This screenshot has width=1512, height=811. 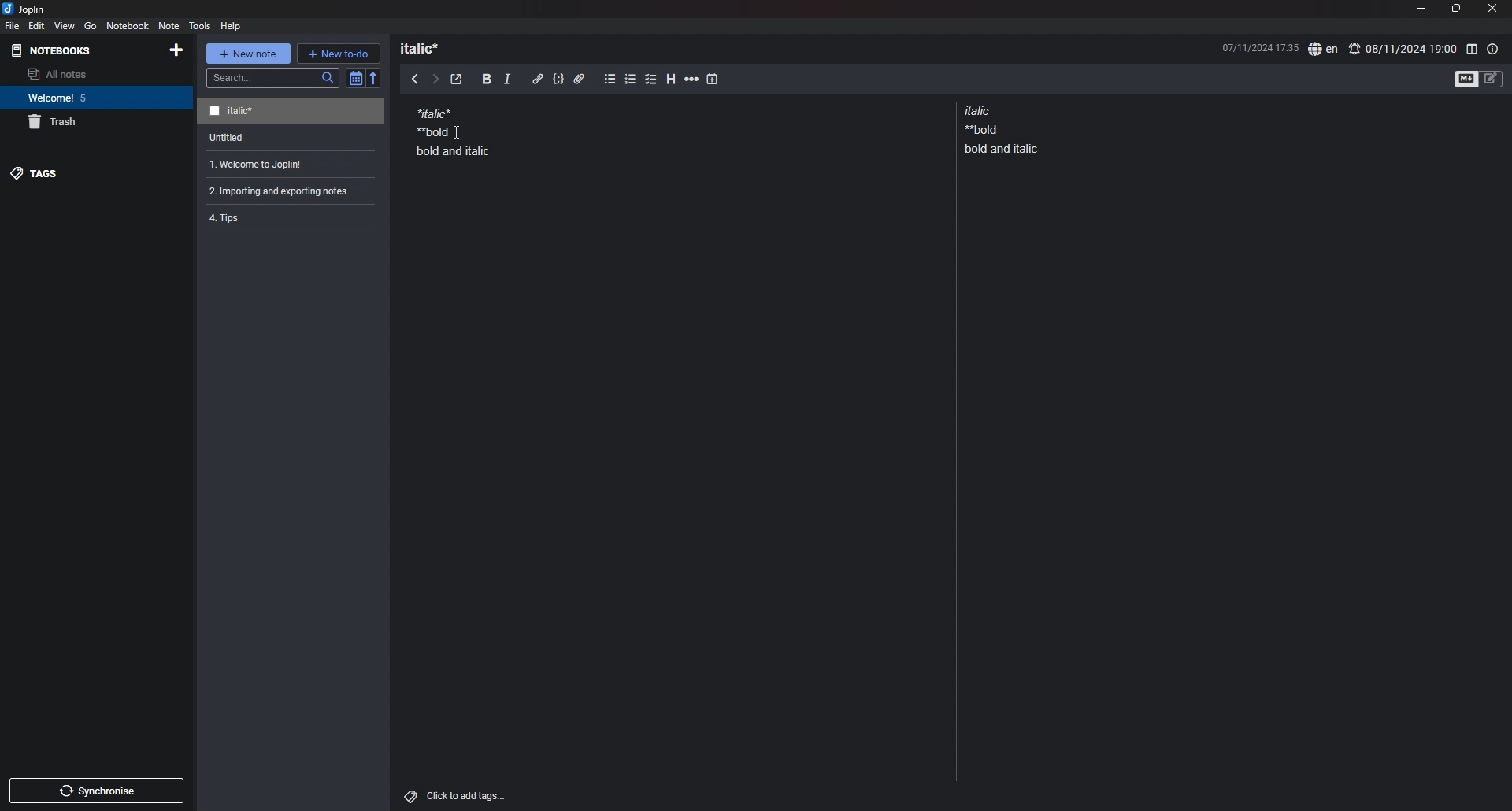 What do you see at coordinates (538, 79) in the screenshot?
I see `hyperlink` at bounding box center [538, 79].